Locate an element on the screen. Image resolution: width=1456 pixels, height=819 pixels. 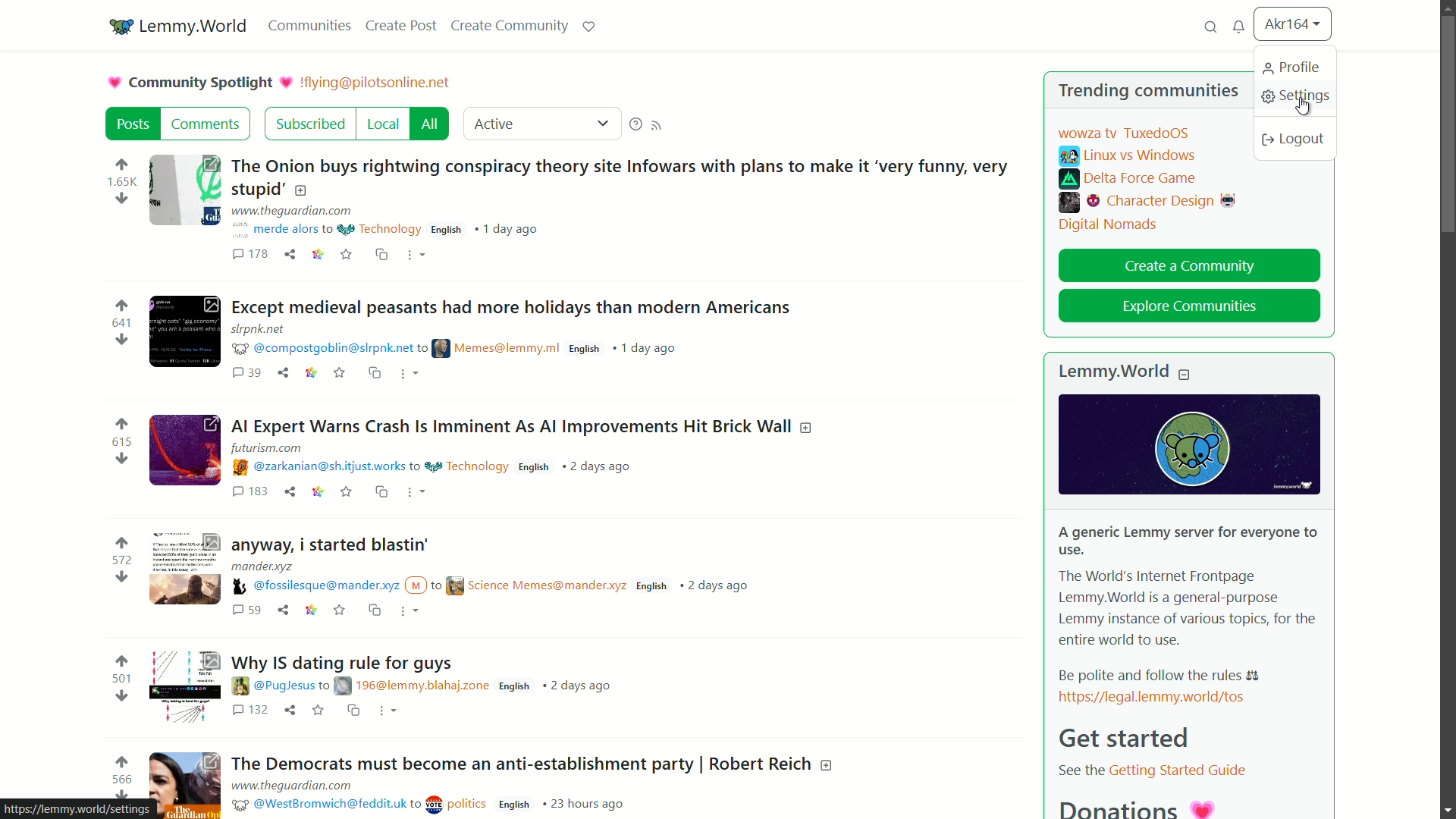
logout is located at coordinates (1294, 138).